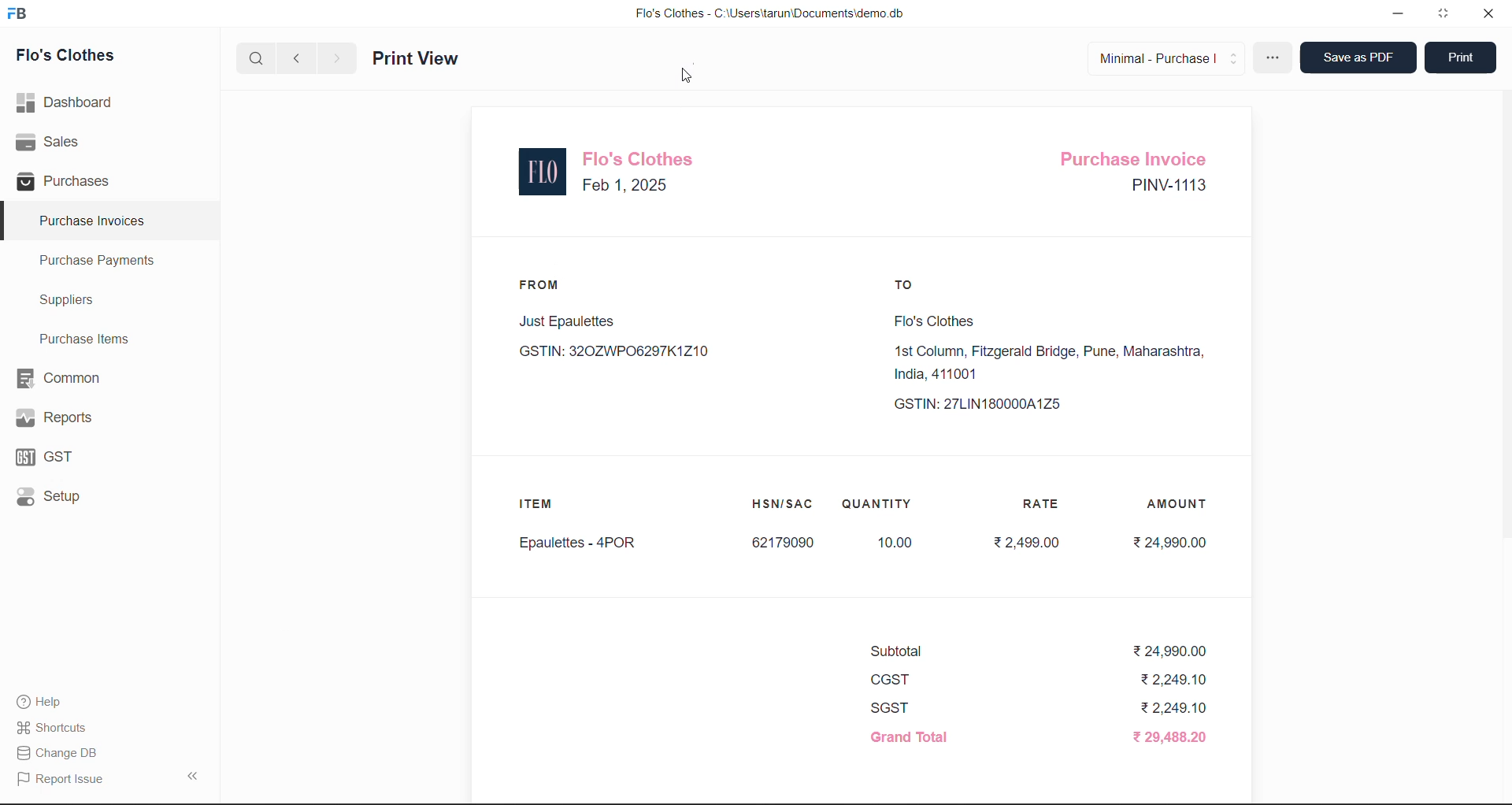  I want to click on  Sales, so click(50, 139).